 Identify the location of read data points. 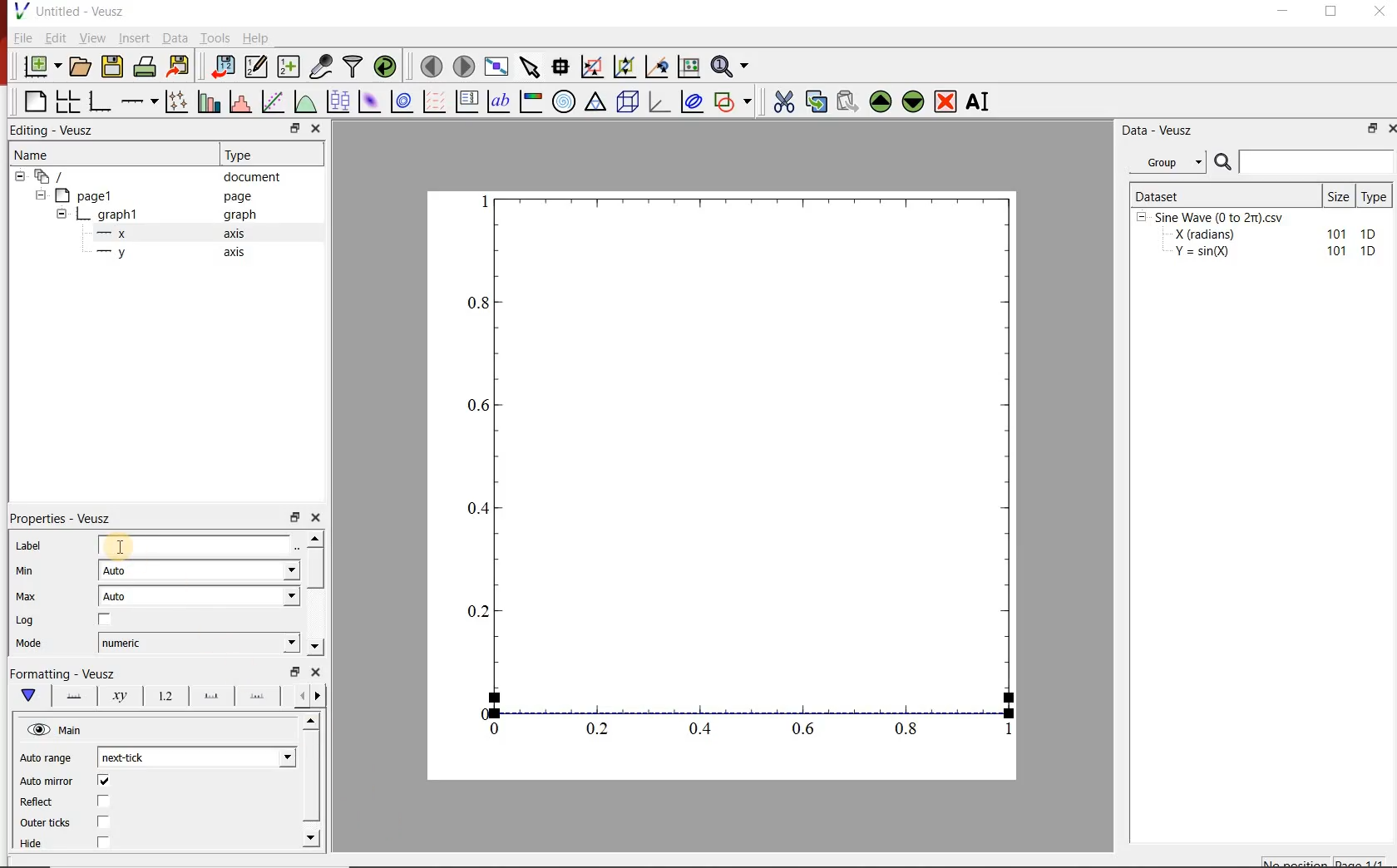
(560, 65).